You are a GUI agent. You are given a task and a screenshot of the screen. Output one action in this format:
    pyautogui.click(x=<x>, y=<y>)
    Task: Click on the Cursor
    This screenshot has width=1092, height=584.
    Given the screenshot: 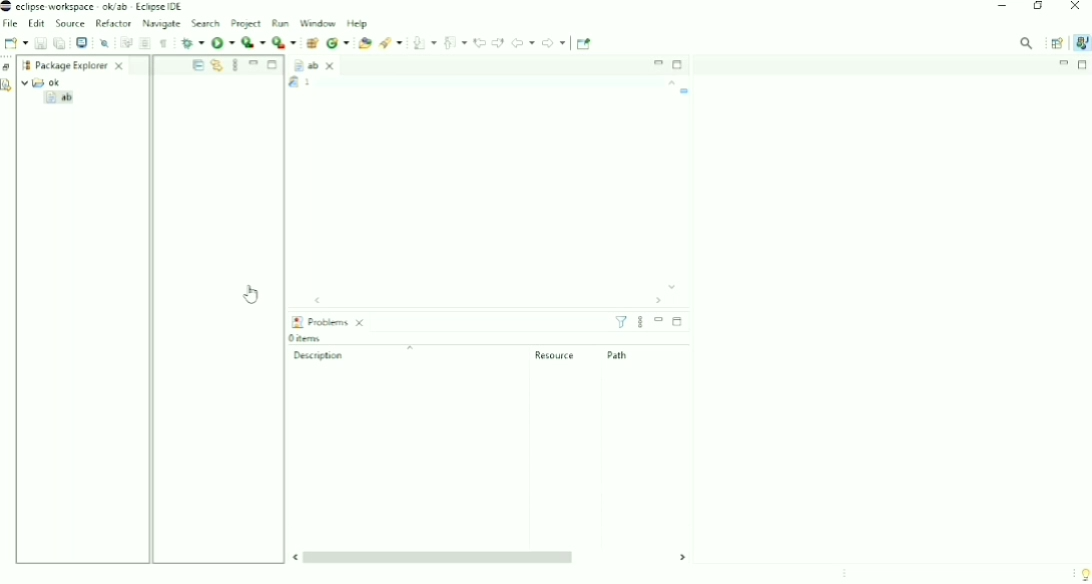 What is the action you would take?
    pyautogui.click(x=251, y=296)
    